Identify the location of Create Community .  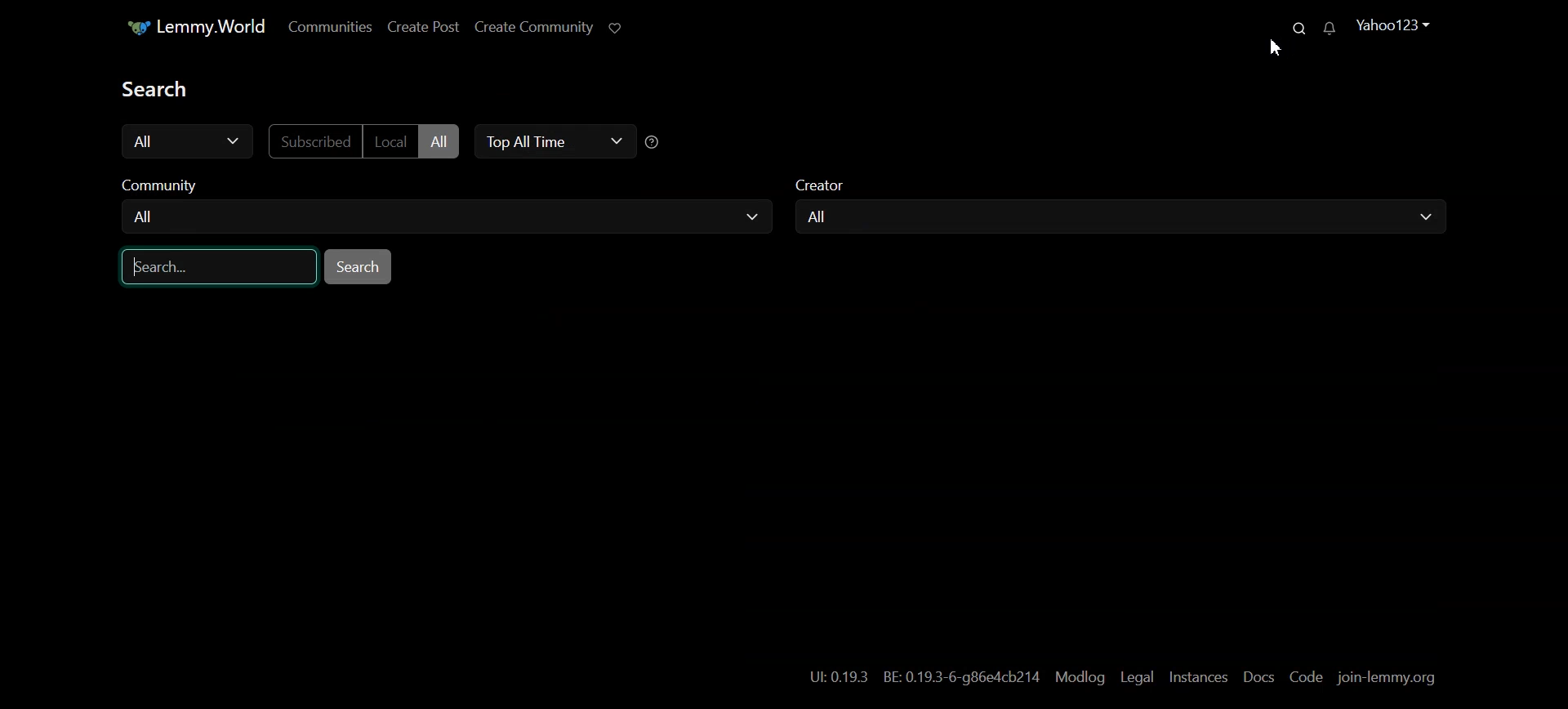
(536, 26).